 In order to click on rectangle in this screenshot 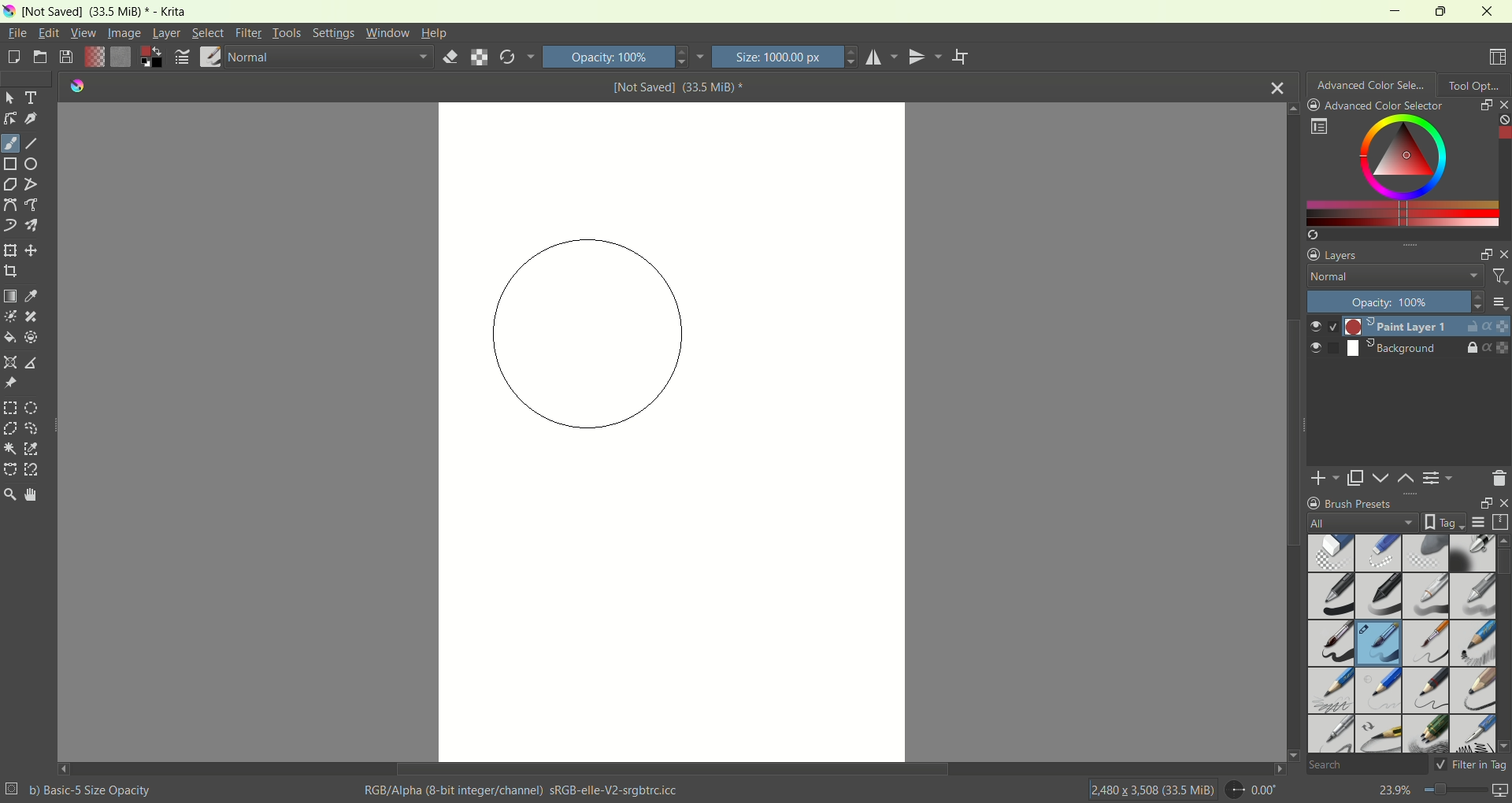, I will do `click(11, 165)`.